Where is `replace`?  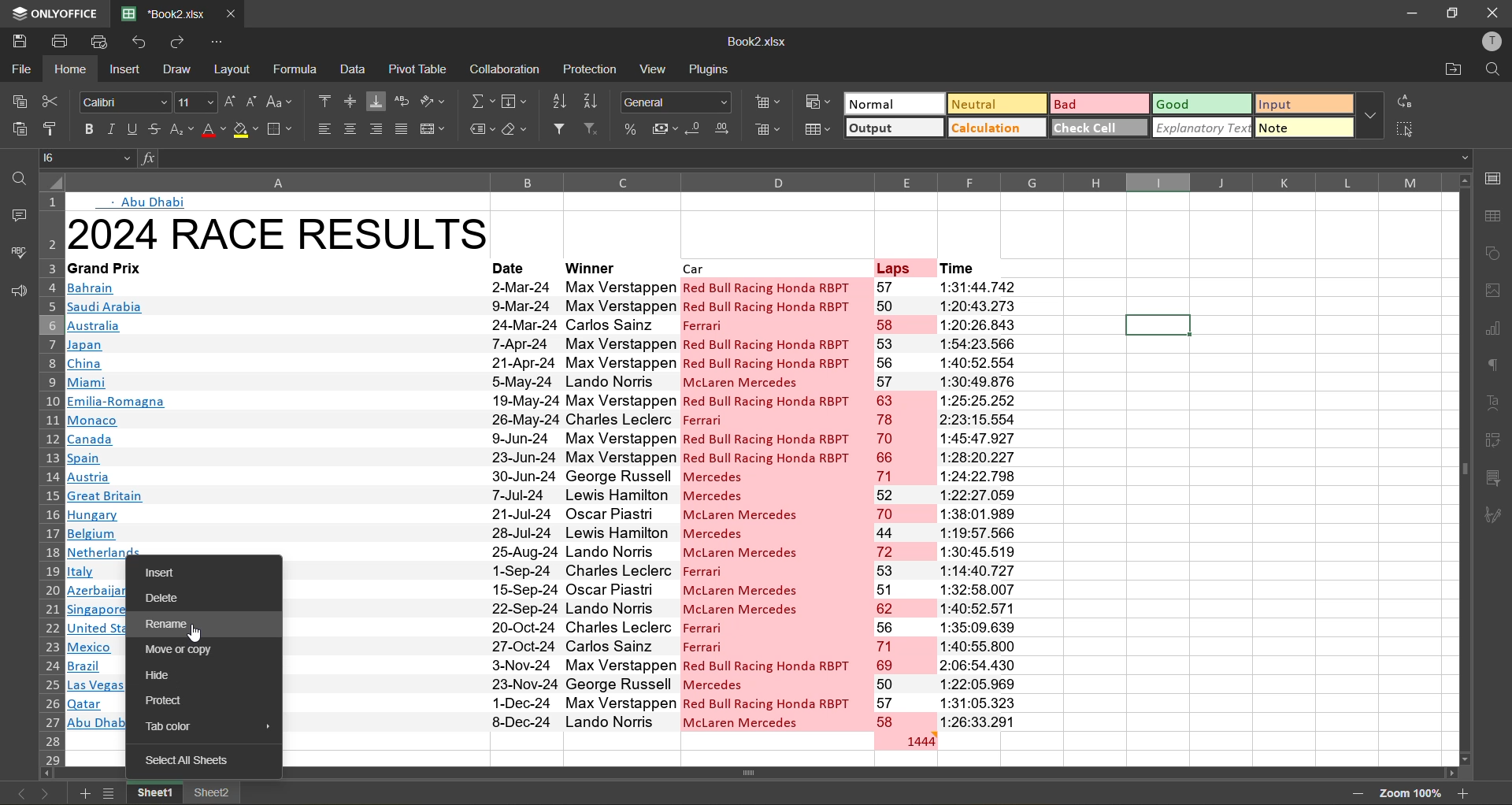
replace is located at coordinates (1403, 100).